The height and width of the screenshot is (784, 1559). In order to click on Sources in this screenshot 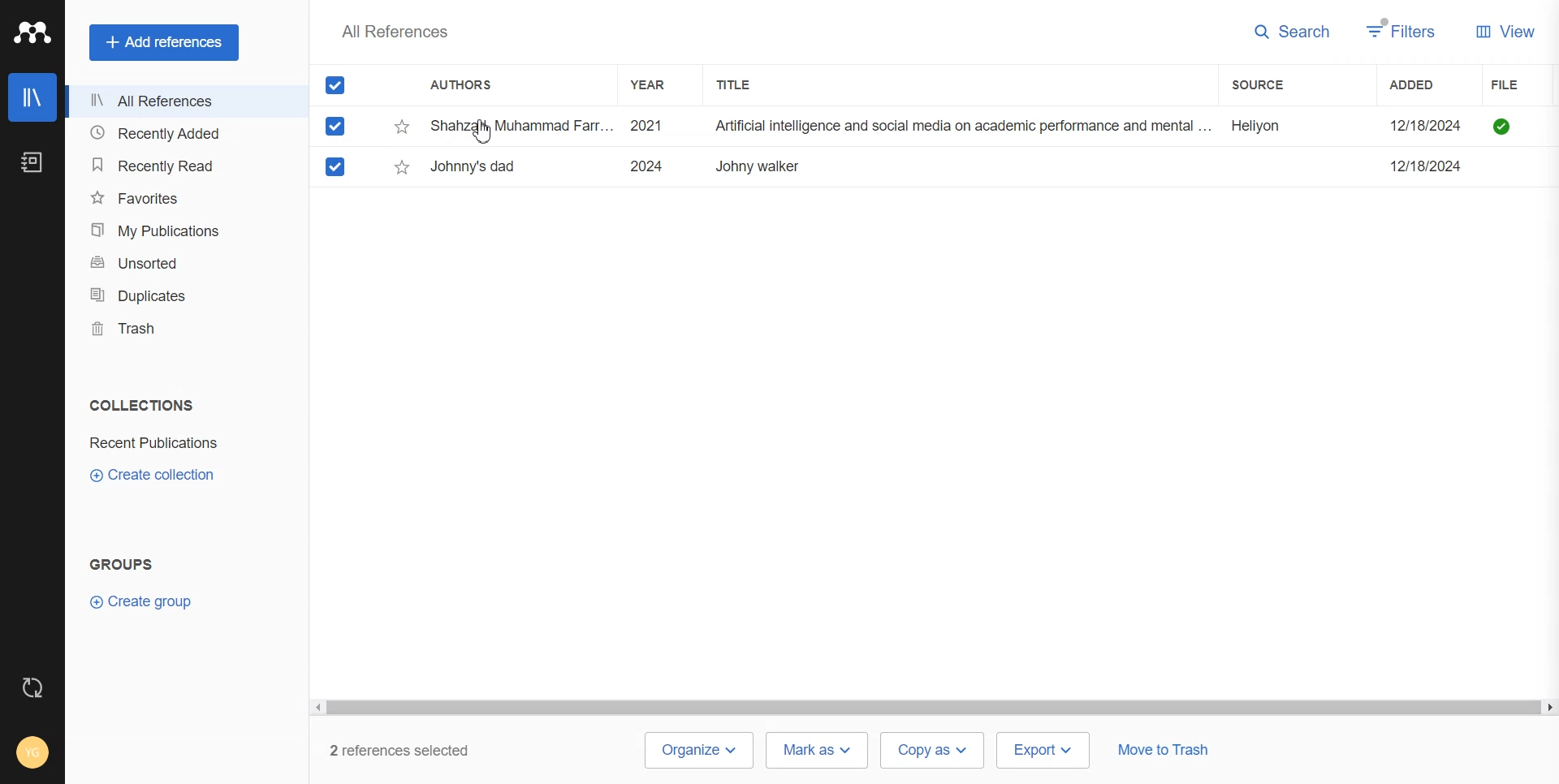, I will do `click(1276, 84)`.